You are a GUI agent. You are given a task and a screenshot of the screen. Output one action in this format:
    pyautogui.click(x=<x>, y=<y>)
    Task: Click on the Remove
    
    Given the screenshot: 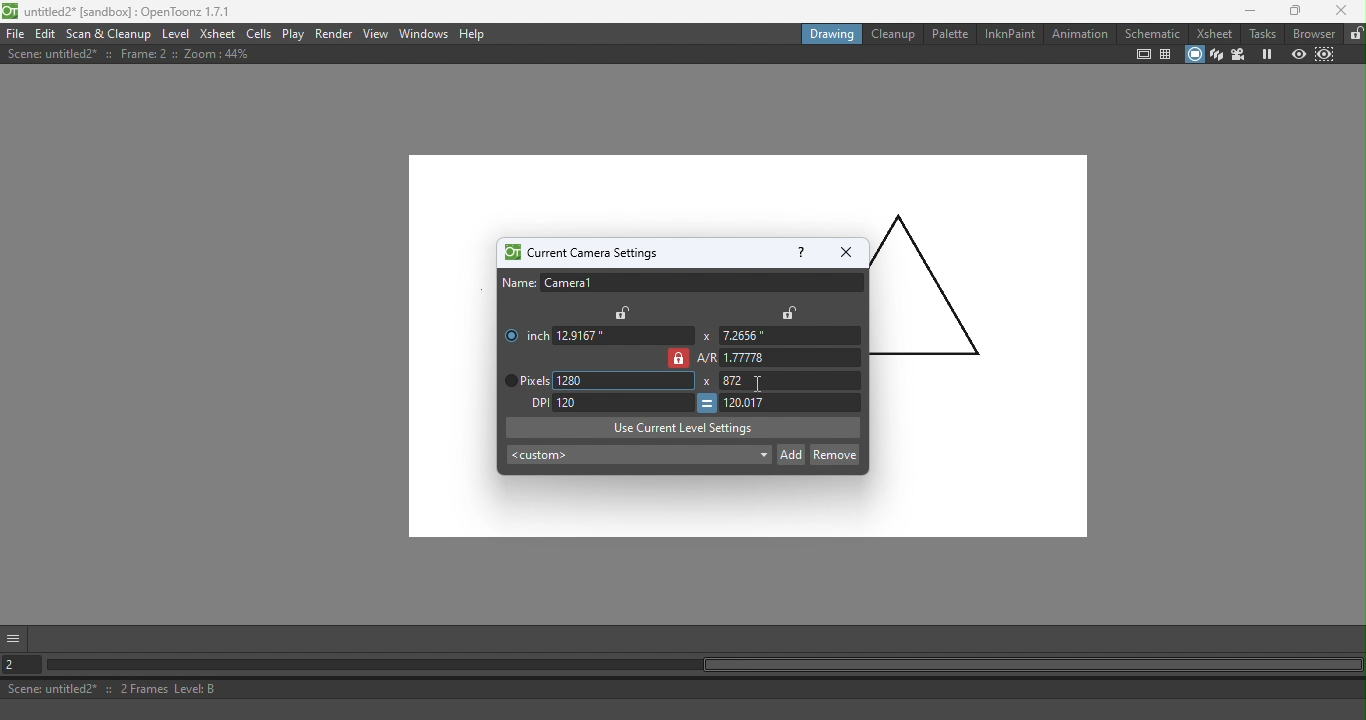 What is the action you would take?
    pyautogui.click(x=834, y=453)
    